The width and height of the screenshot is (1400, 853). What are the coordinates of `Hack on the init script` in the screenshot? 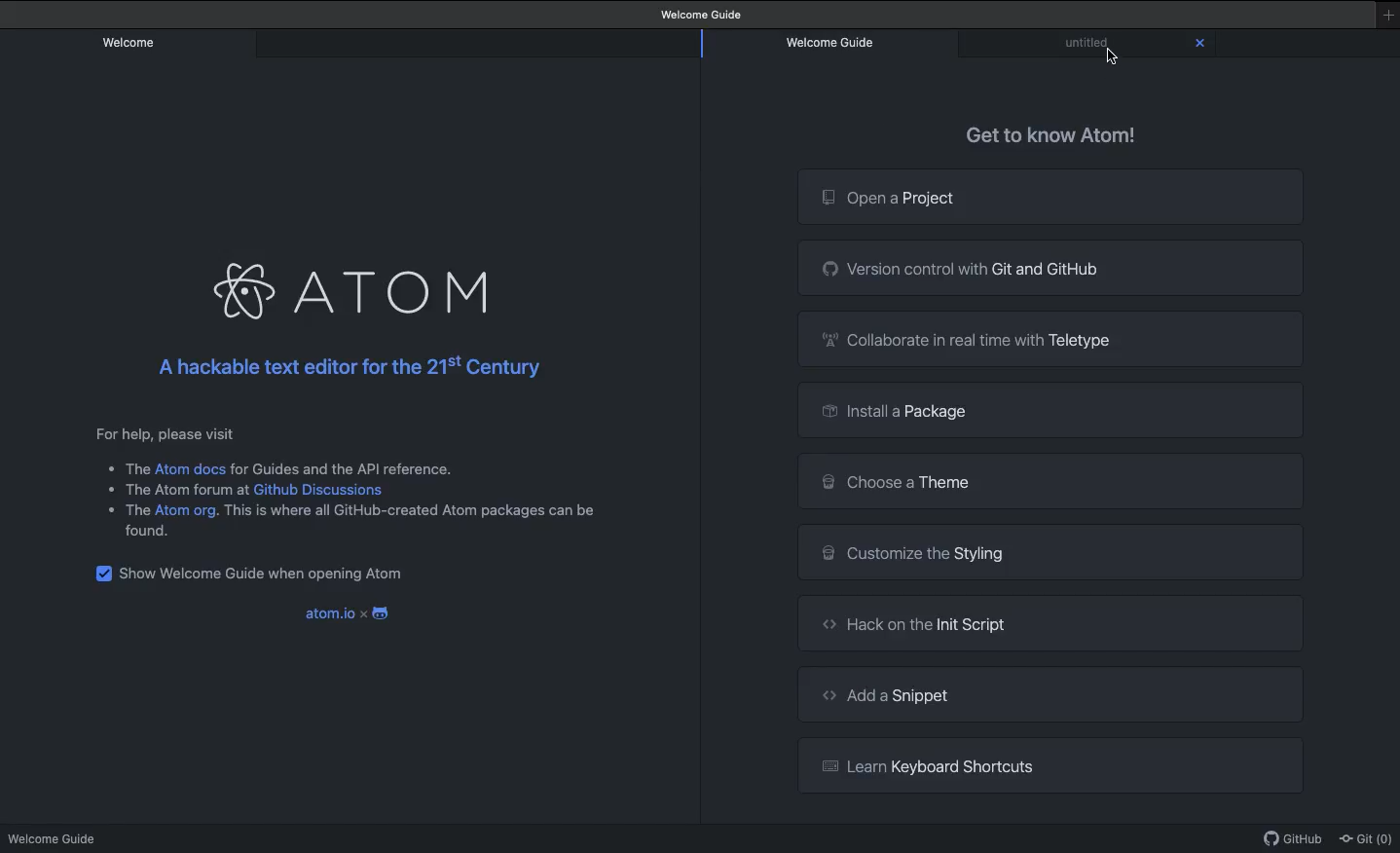 It's located at (1050, 622).